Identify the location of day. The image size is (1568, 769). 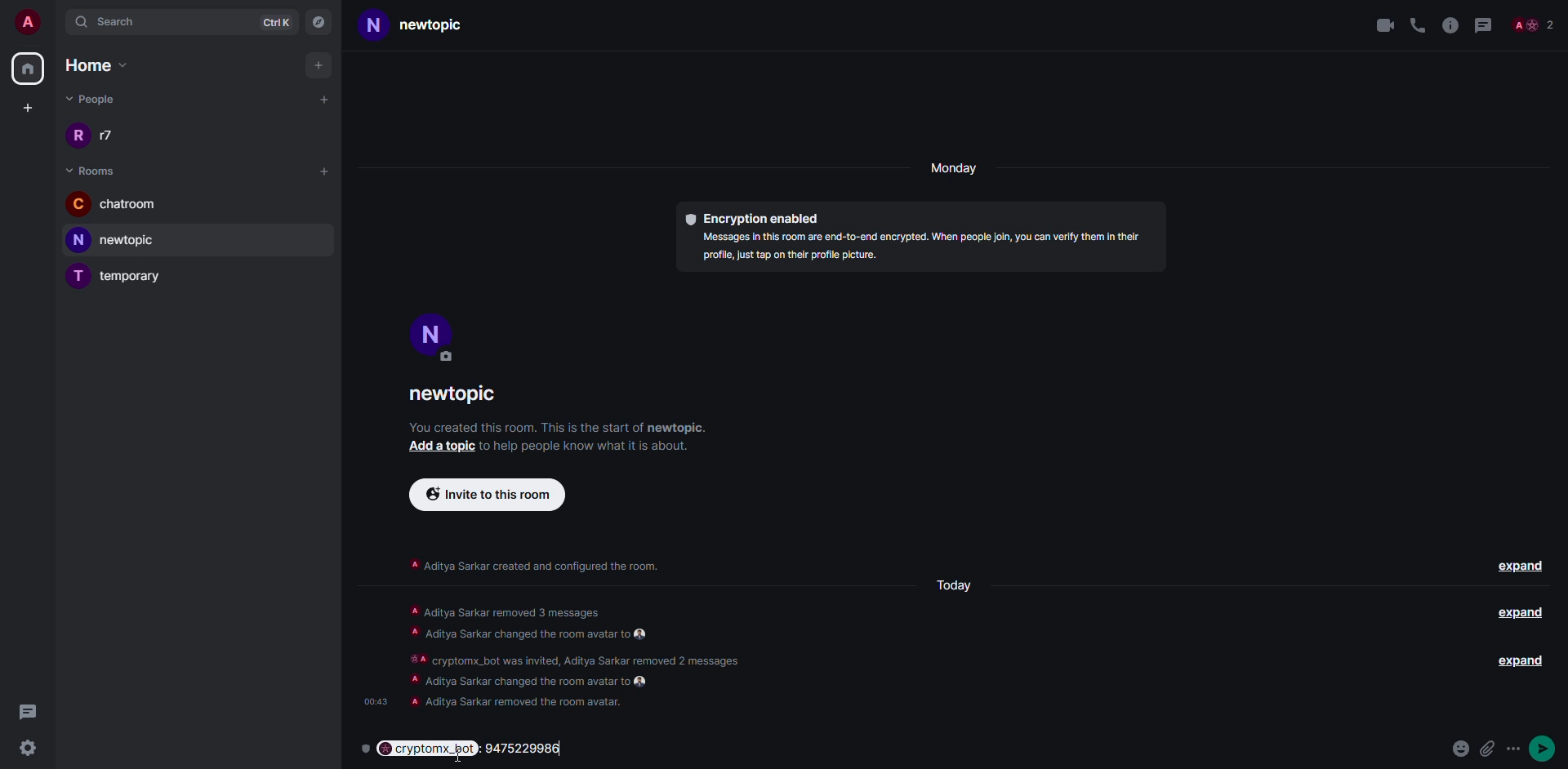
(956, 170).